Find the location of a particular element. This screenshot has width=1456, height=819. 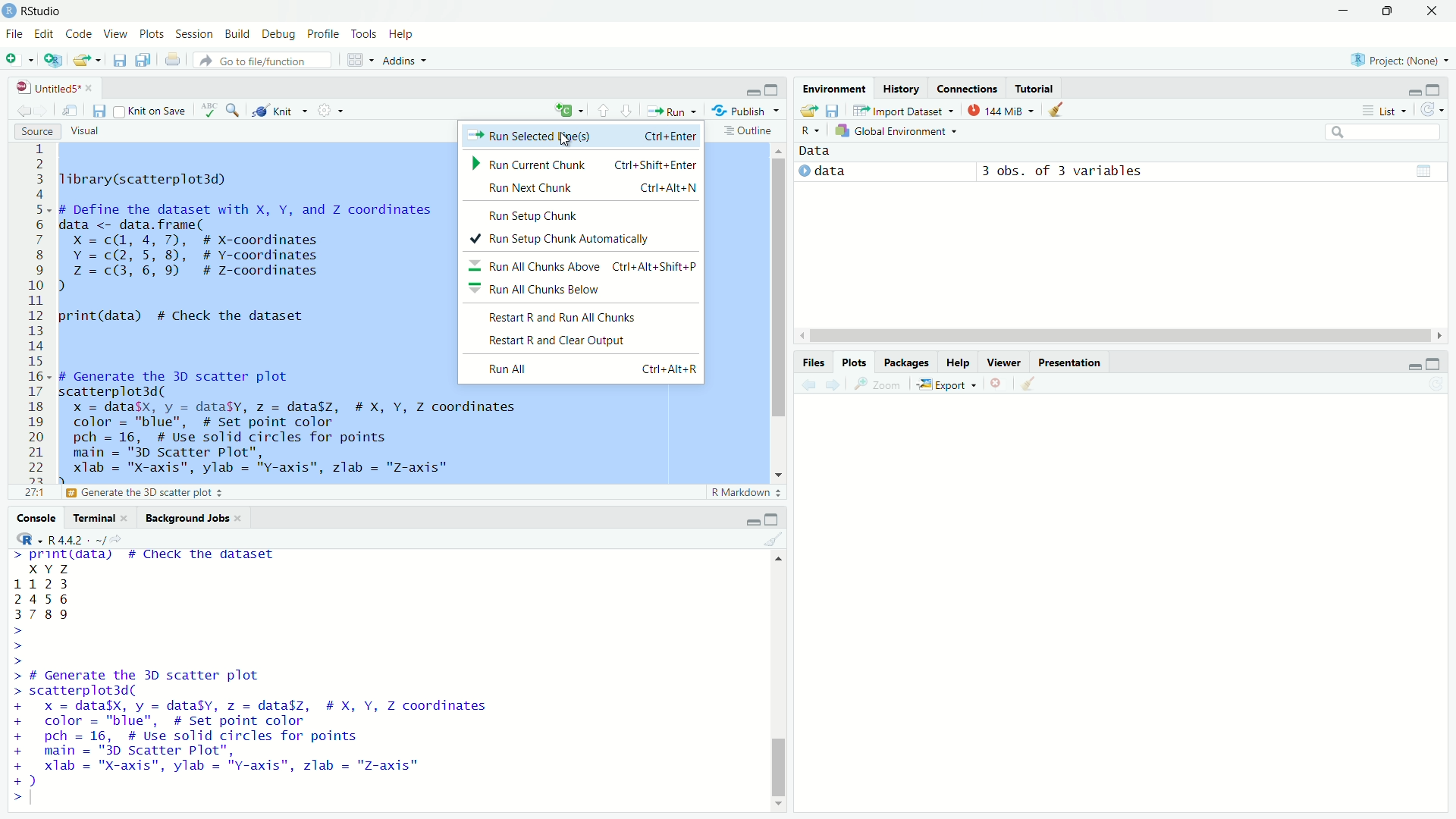

help is located at coordinates (404, 35).